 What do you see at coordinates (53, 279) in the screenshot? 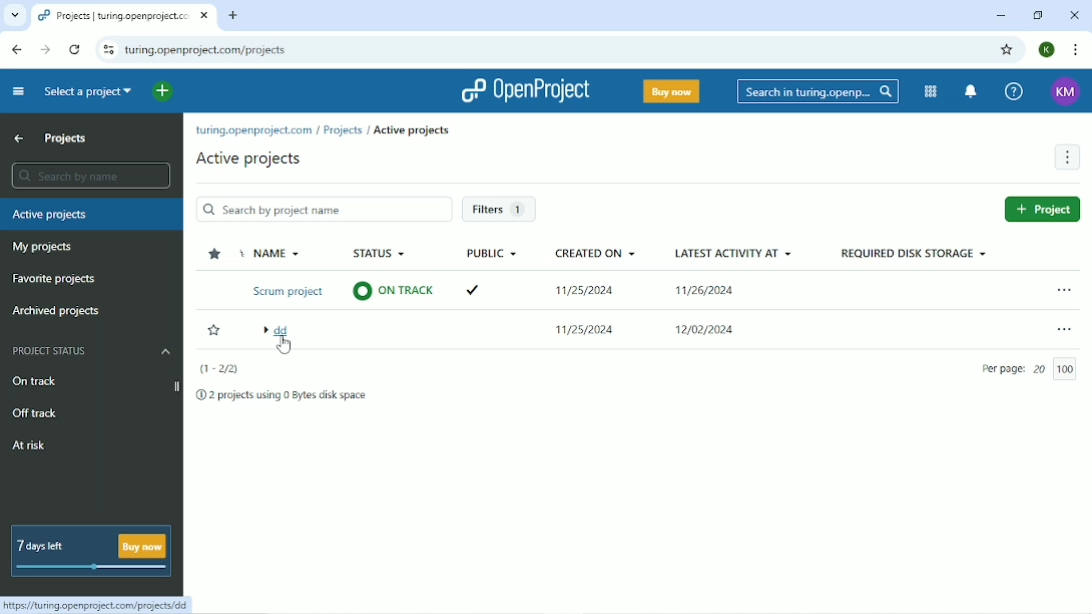
I see `Favorite projects` at bounding box center [53, 279].